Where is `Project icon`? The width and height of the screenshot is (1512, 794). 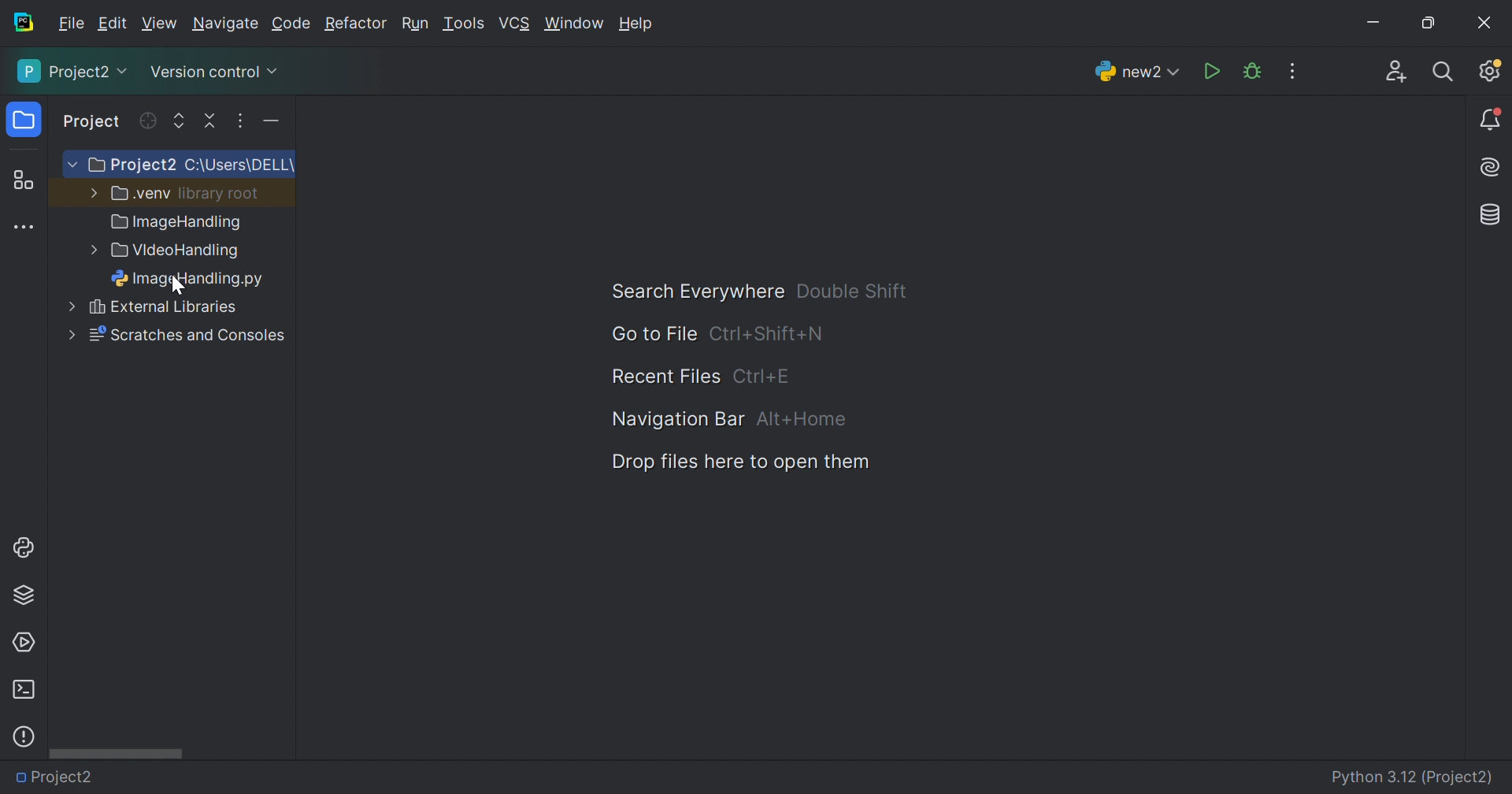
Project icon is located at coordinates (26, 121).